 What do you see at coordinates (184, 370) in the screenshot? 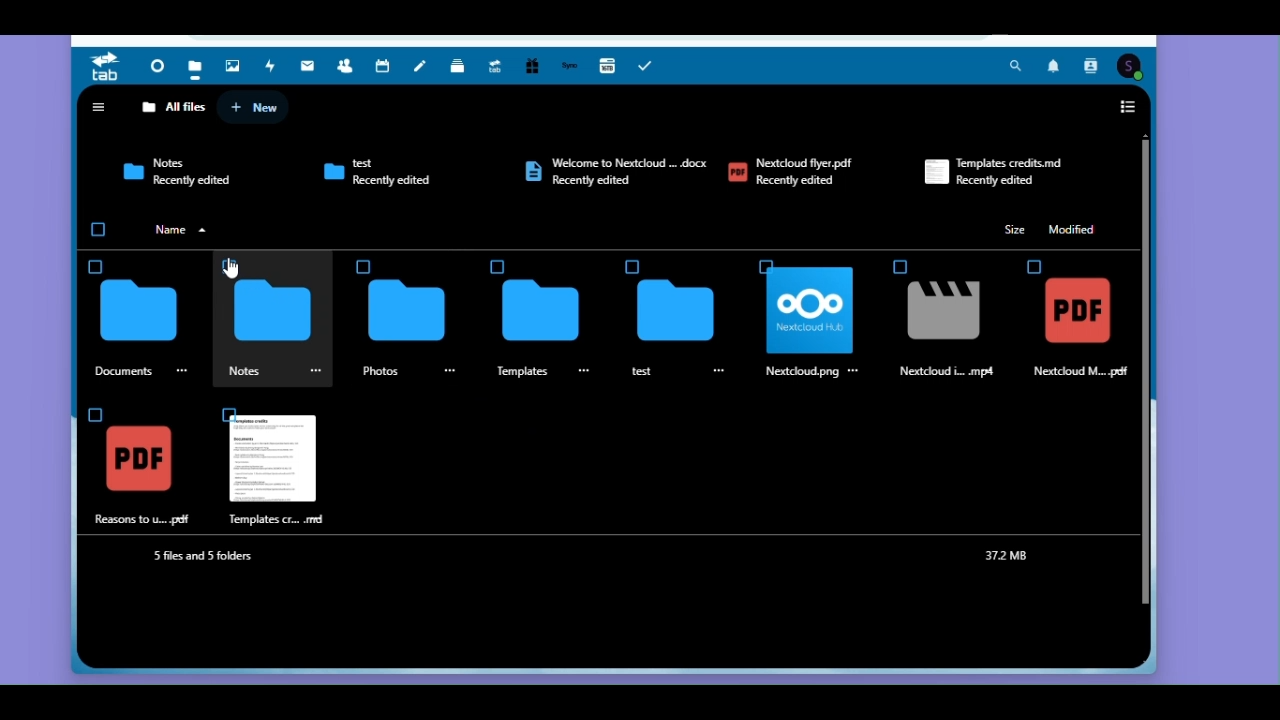
I see `Ellipsis` at bounding box center [184, 370].